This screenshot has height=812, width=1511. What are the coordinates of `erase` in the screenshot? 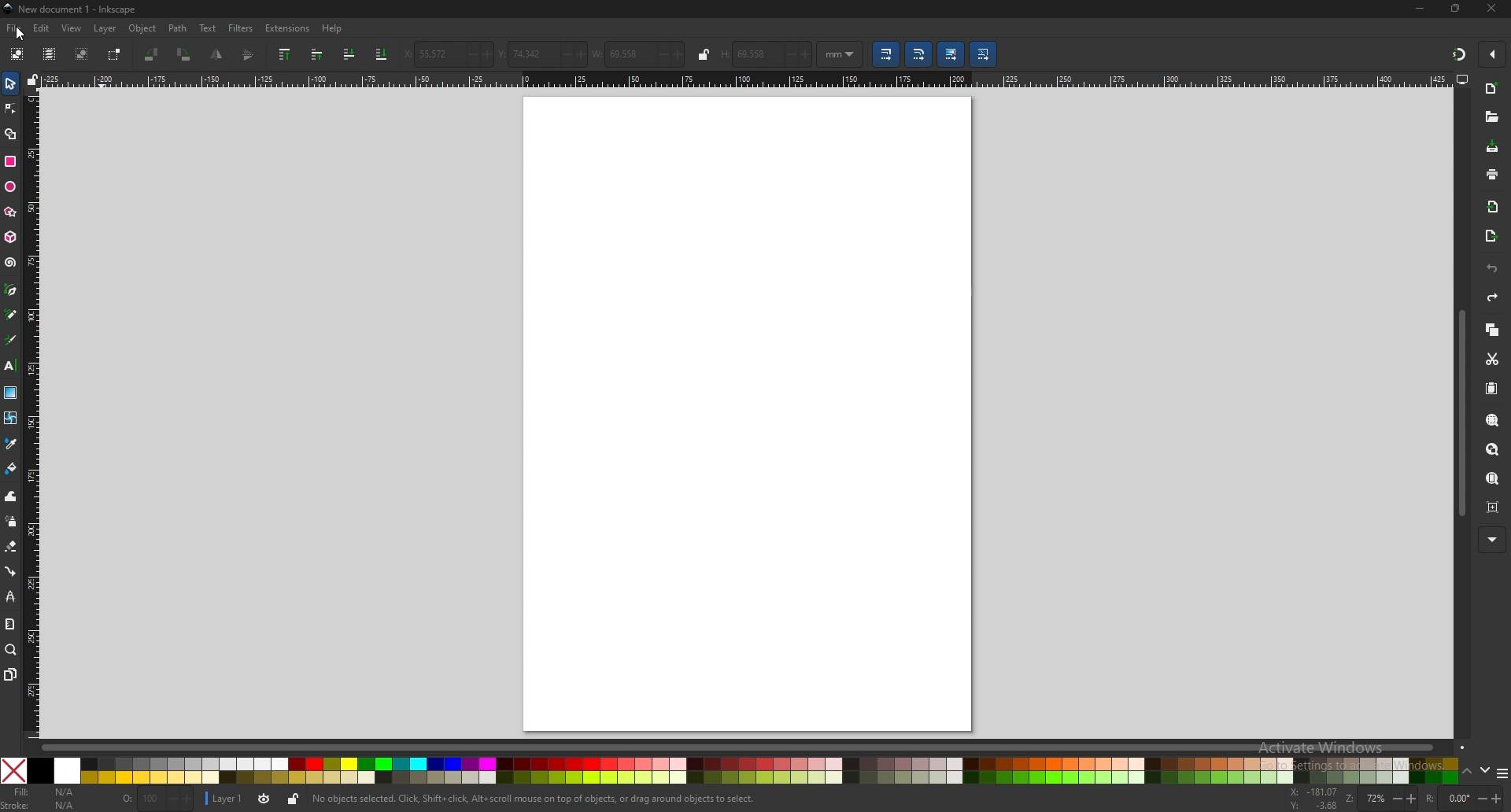 It's located at (11, 545).